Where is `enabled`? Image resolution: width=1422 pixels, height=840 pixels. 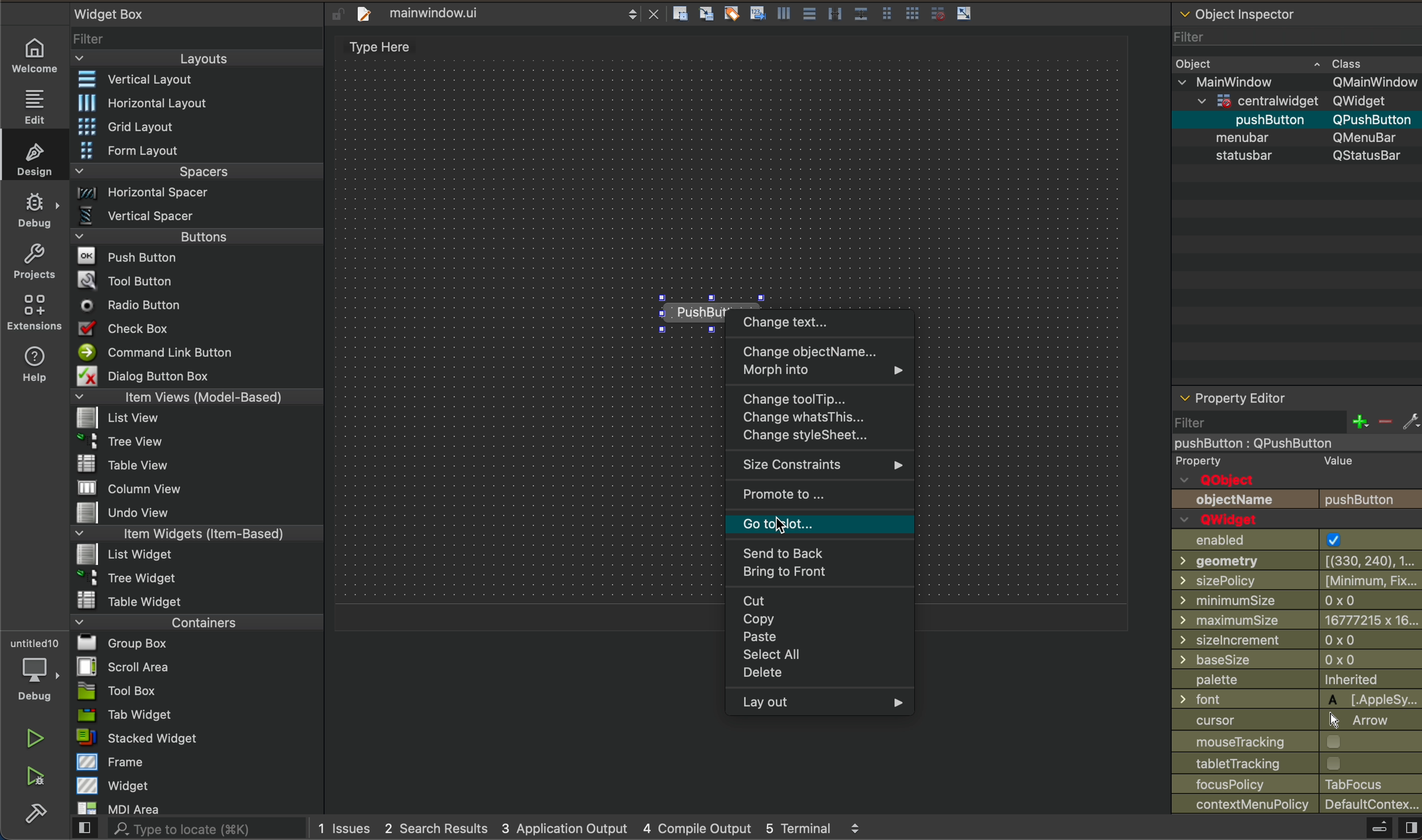 enabled is located at coordinates (1295, 540).